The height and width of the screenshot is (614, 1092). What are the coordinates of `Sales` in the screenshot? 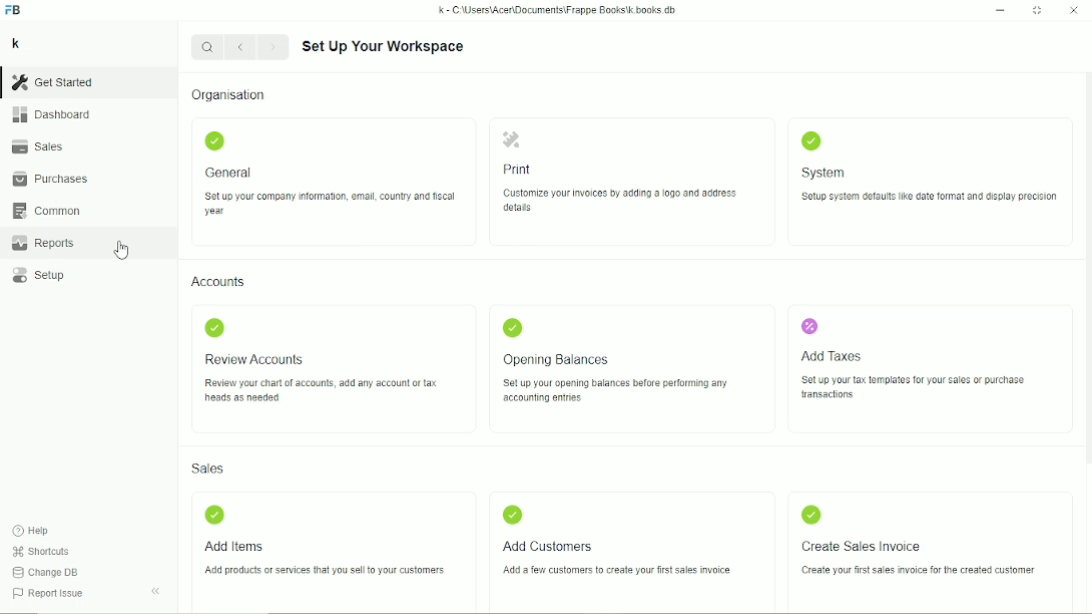 It's located at (208, 468).